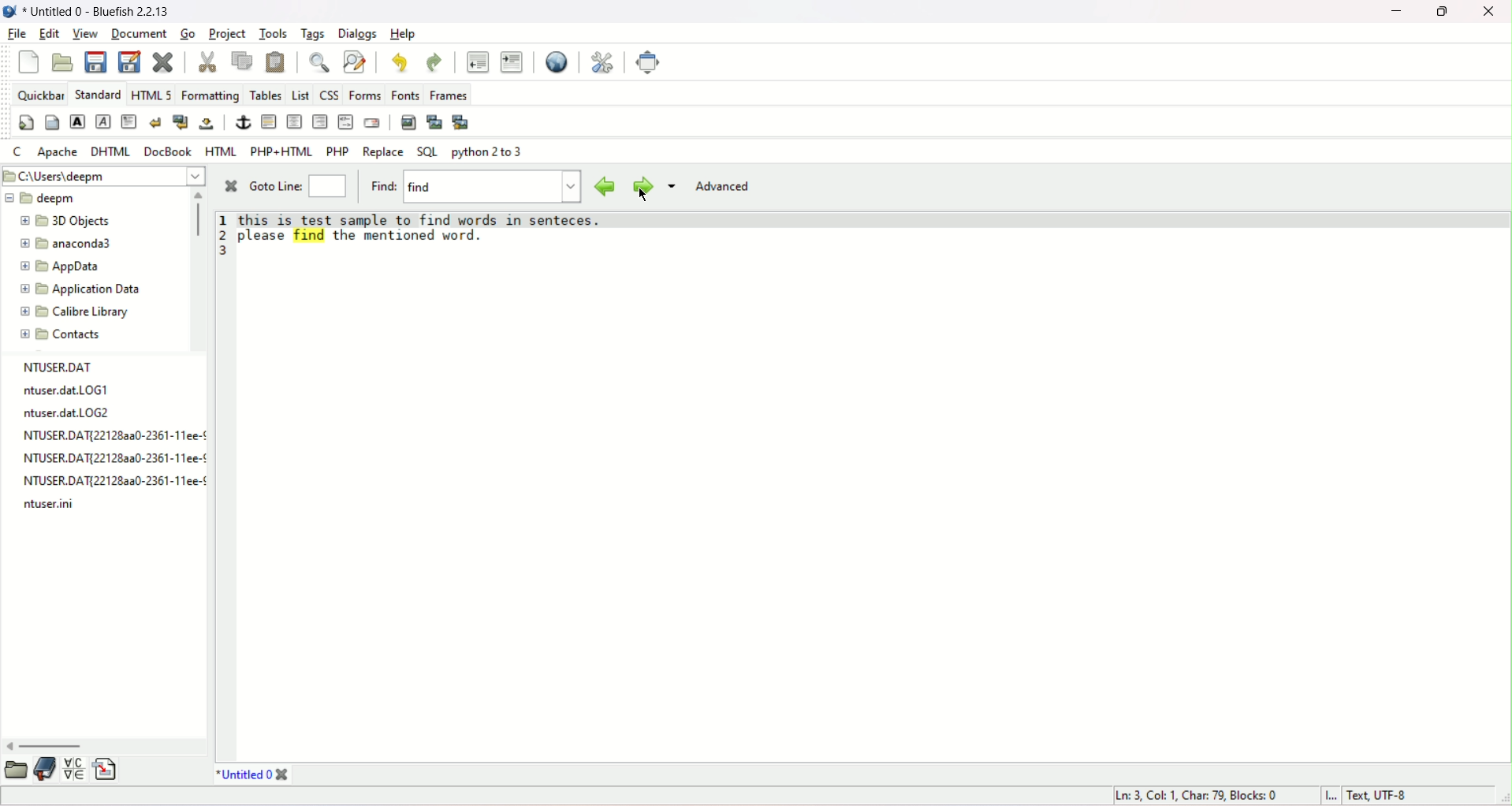 The height and width of the screenshot is (806, 1512). I want to click on cut, so click(206, 59).